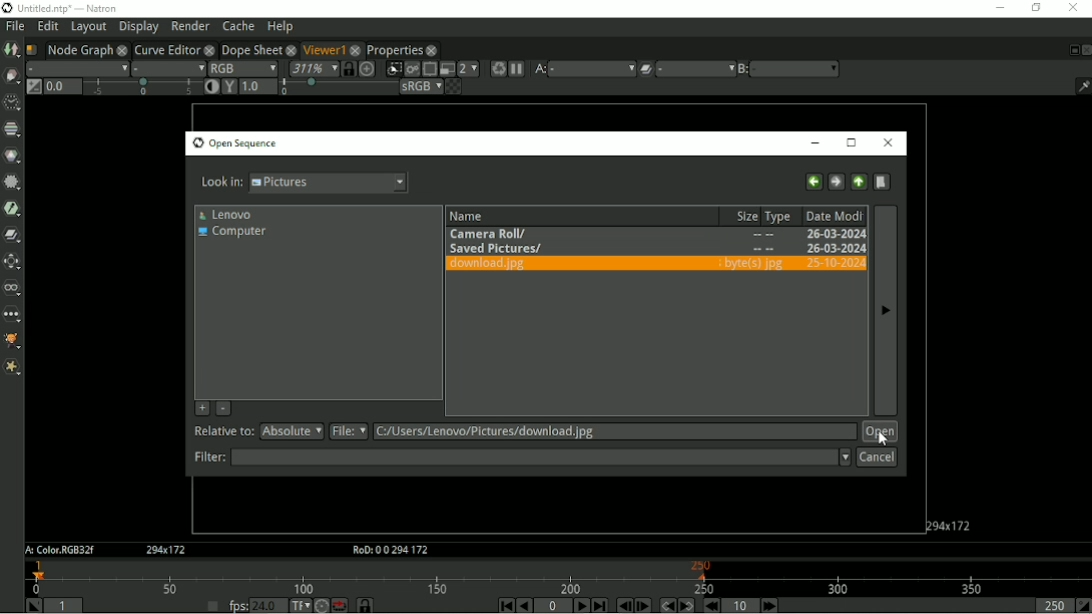  Describe the element at coordinates (291, 431) in the screenshot. I see `absolute` at that location.